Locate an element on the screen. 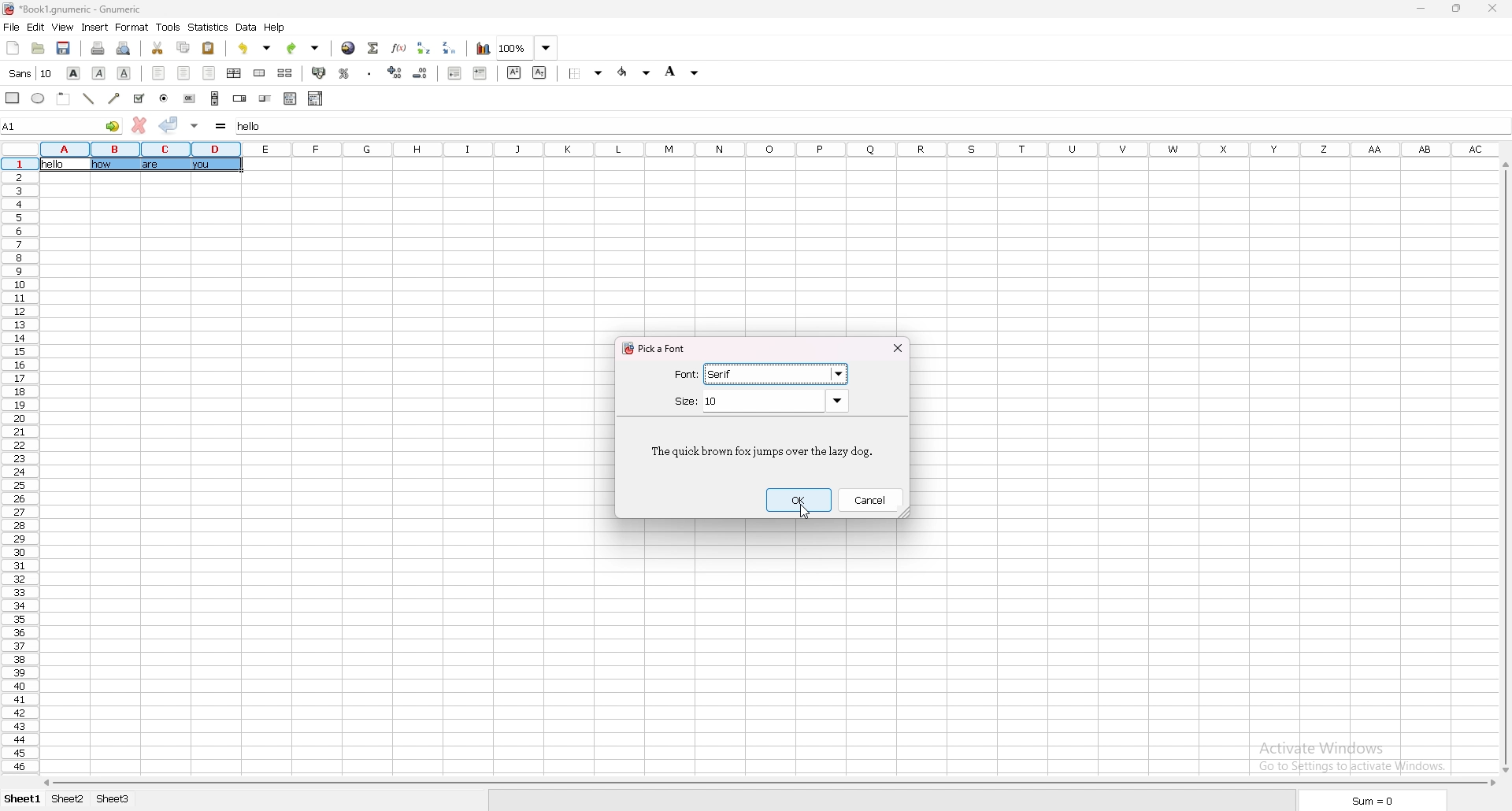 Image resolution: width=1512 pixels, height=811 pixels. chart is located at coordinates (484, 48).